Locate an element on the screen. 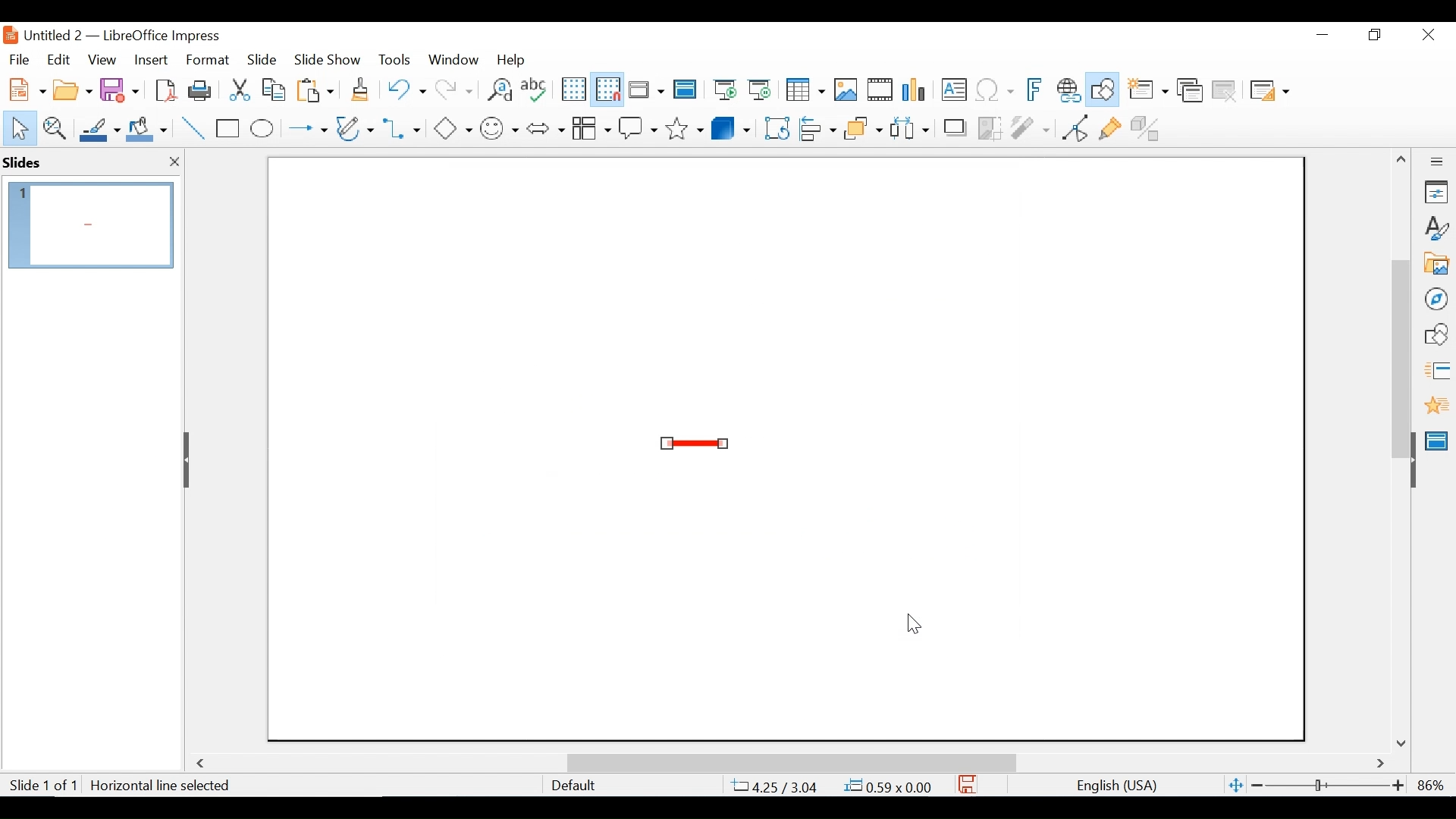 The image size is (1456, 819). Copy is located at coordinates (275, 89).